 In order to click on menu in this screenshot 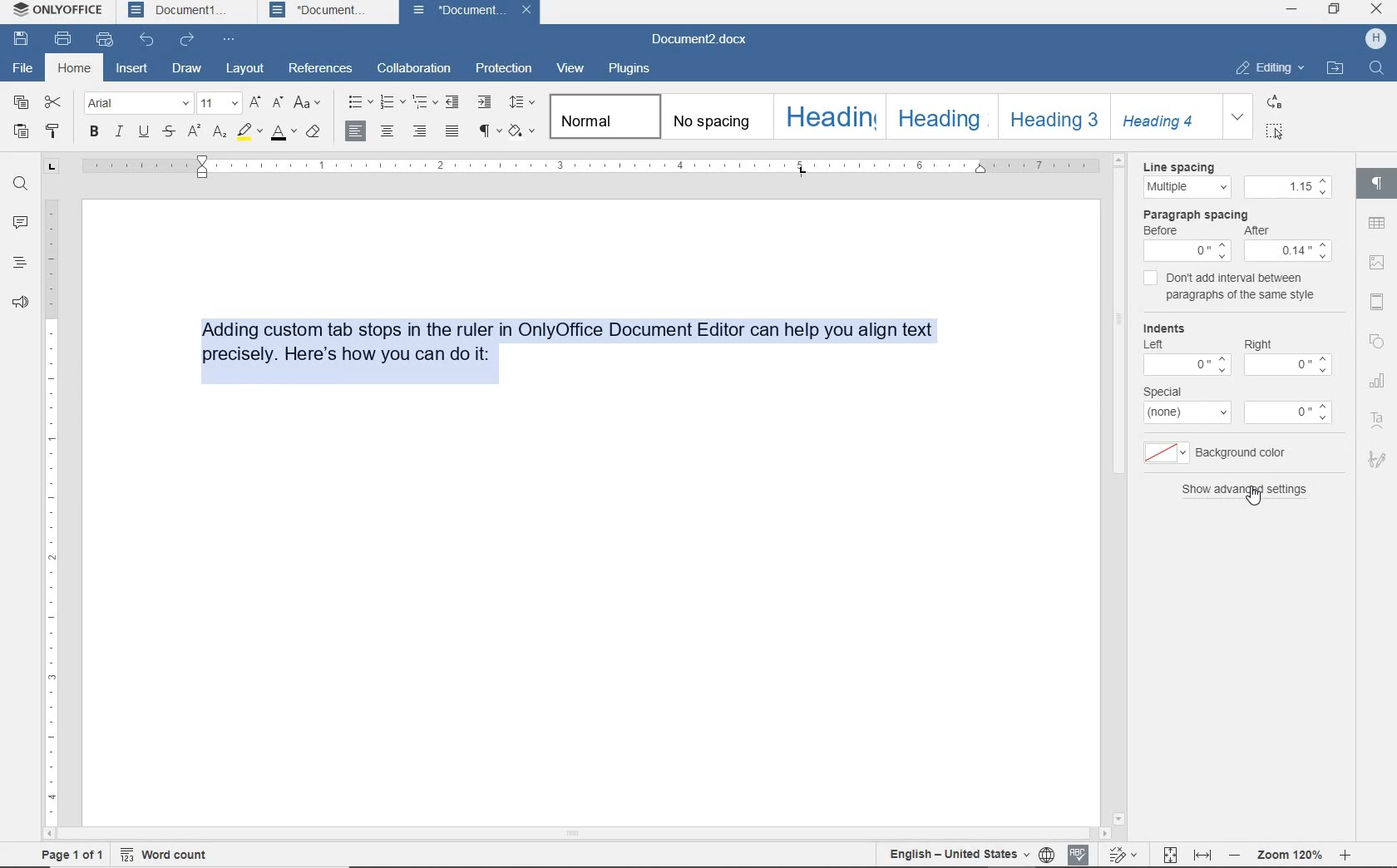, I will do `click(1184, 367)`.